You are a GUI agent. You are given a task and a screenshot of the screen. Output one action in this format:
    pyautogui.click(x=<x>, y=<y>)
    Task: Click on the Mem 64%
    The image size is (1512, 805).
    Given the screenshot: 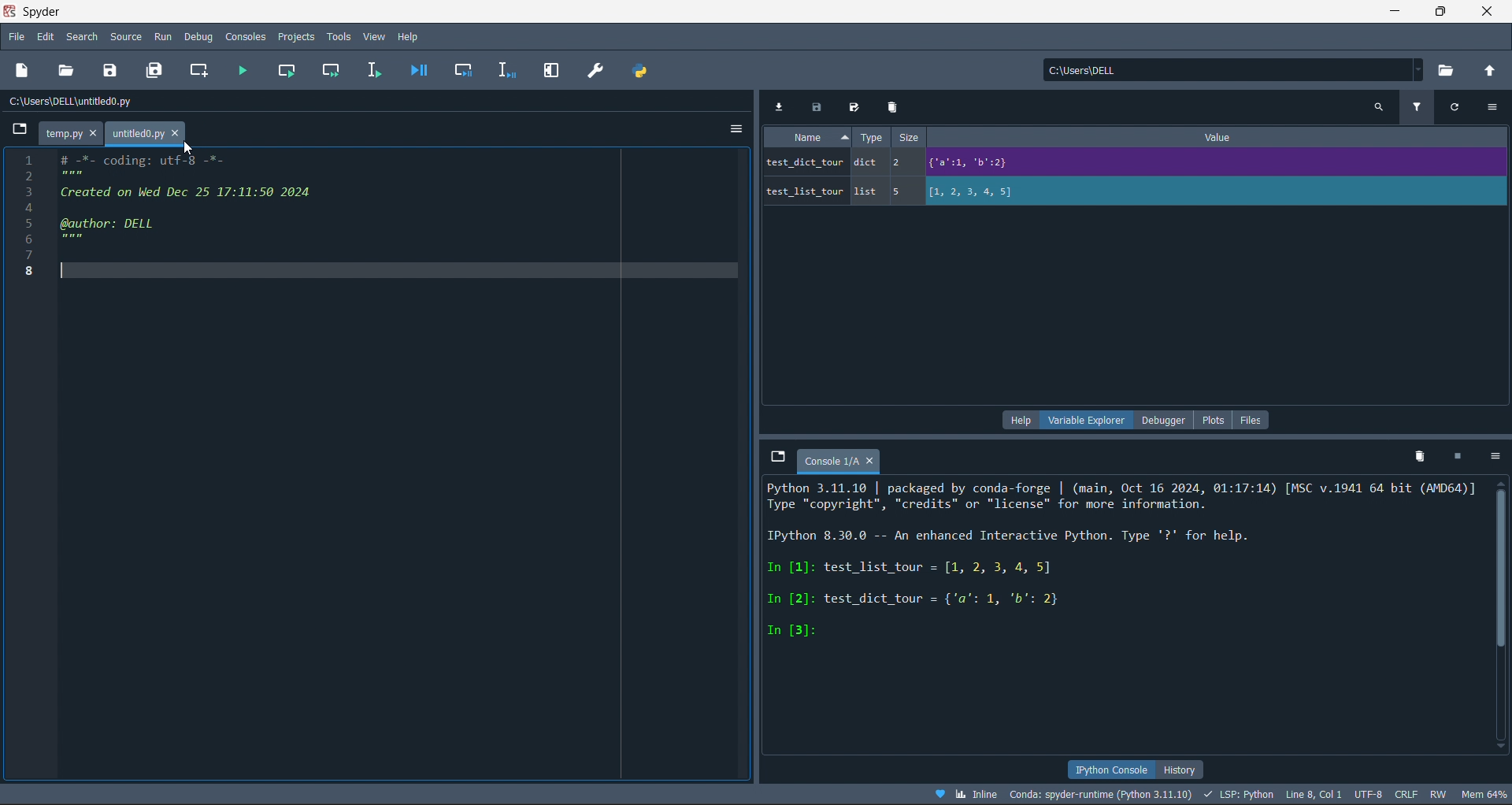 What is the action you would take?
    pyautogui.click(x=1482, y=794)
    